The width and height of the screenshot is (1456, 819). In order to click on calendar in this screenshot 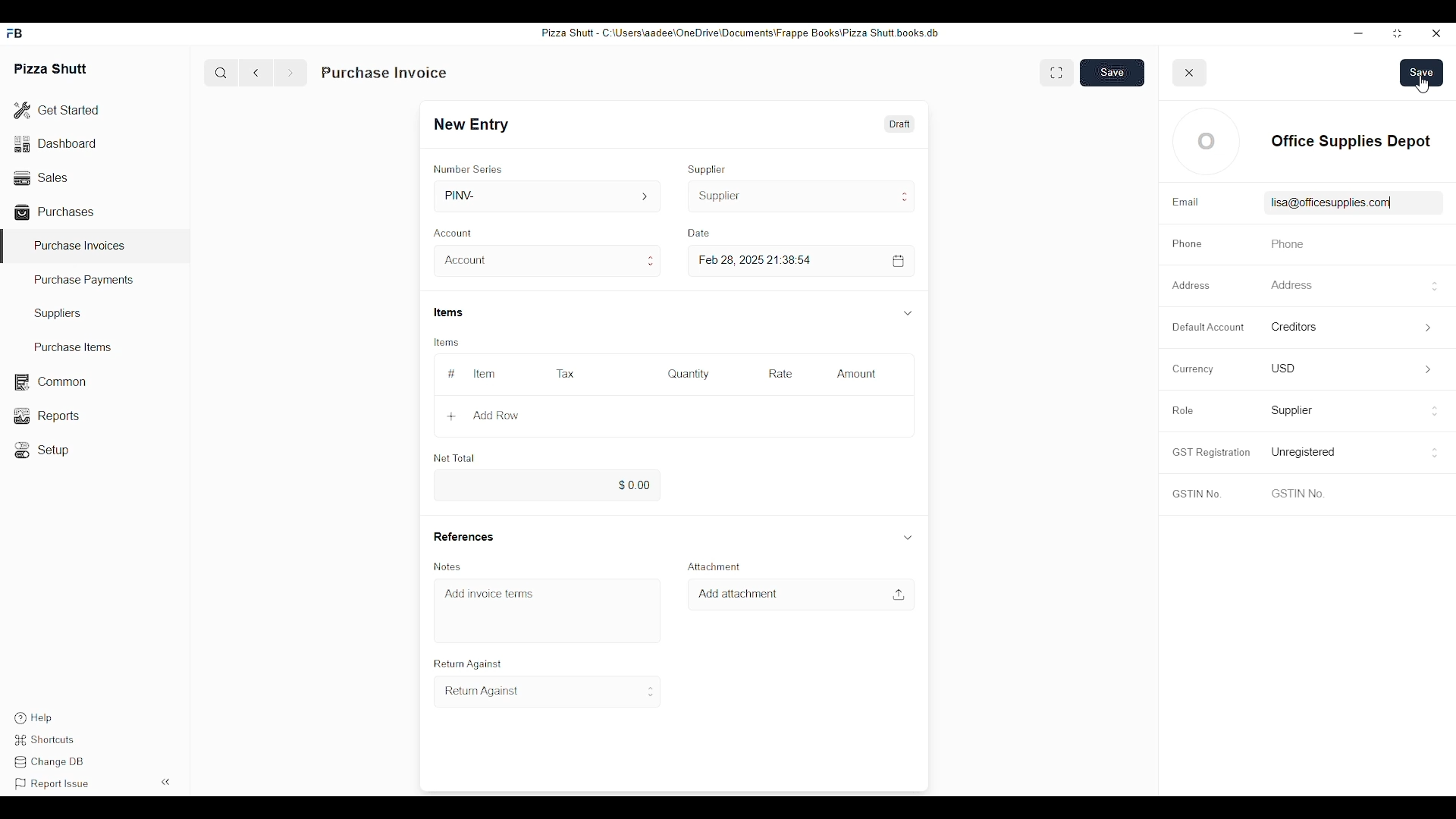, I will do `click(899, 261)`.